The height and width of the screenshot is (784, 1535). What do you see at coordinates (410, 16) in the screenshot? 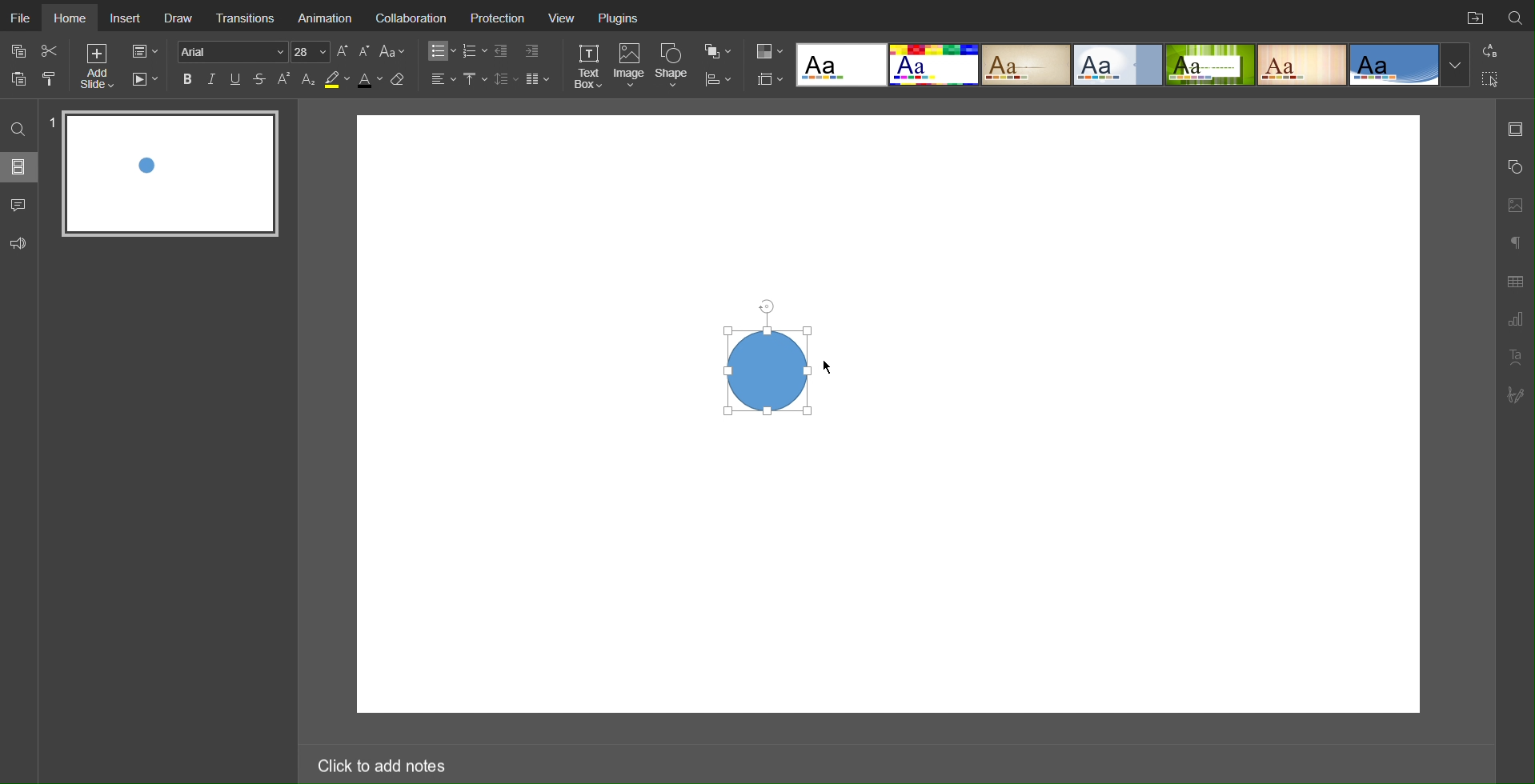
I see `Collaboration` at bounding box center [410, 16].